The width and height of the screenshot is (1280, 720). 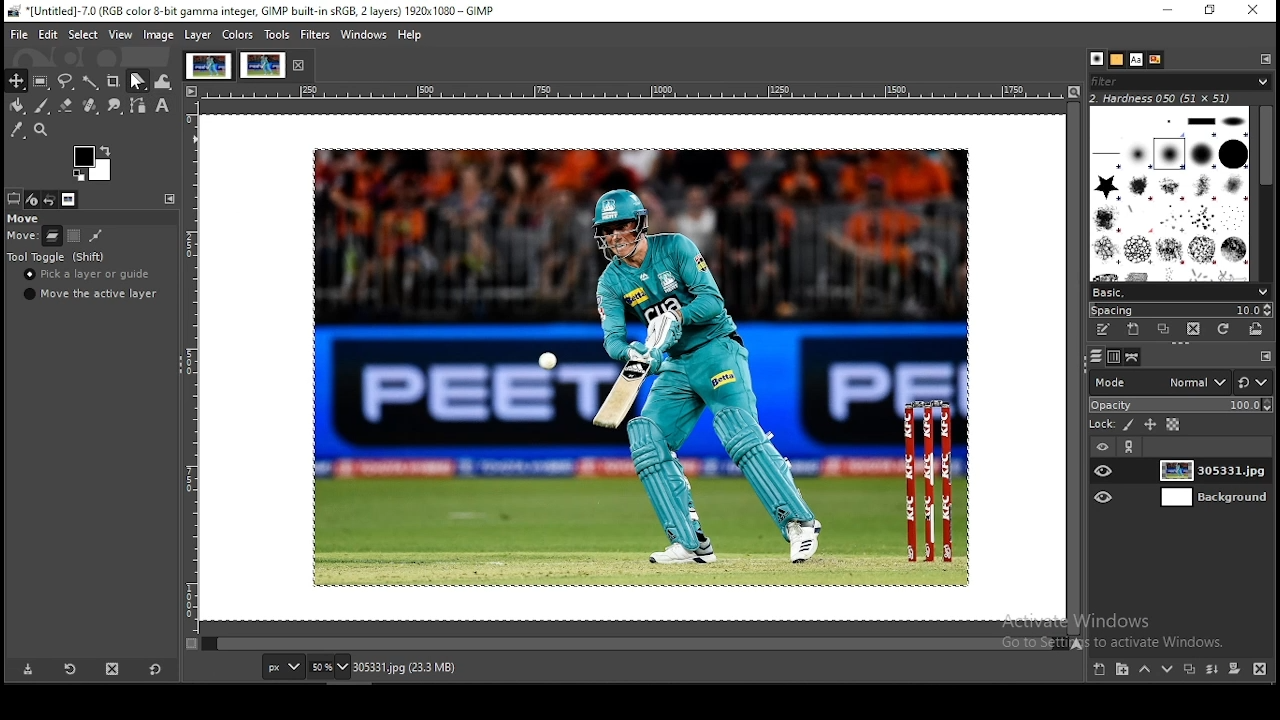 What do you see at coordinates (1255, 331) in the screenshot?
I see `open brush as image` at bounding box center [1255, 331].